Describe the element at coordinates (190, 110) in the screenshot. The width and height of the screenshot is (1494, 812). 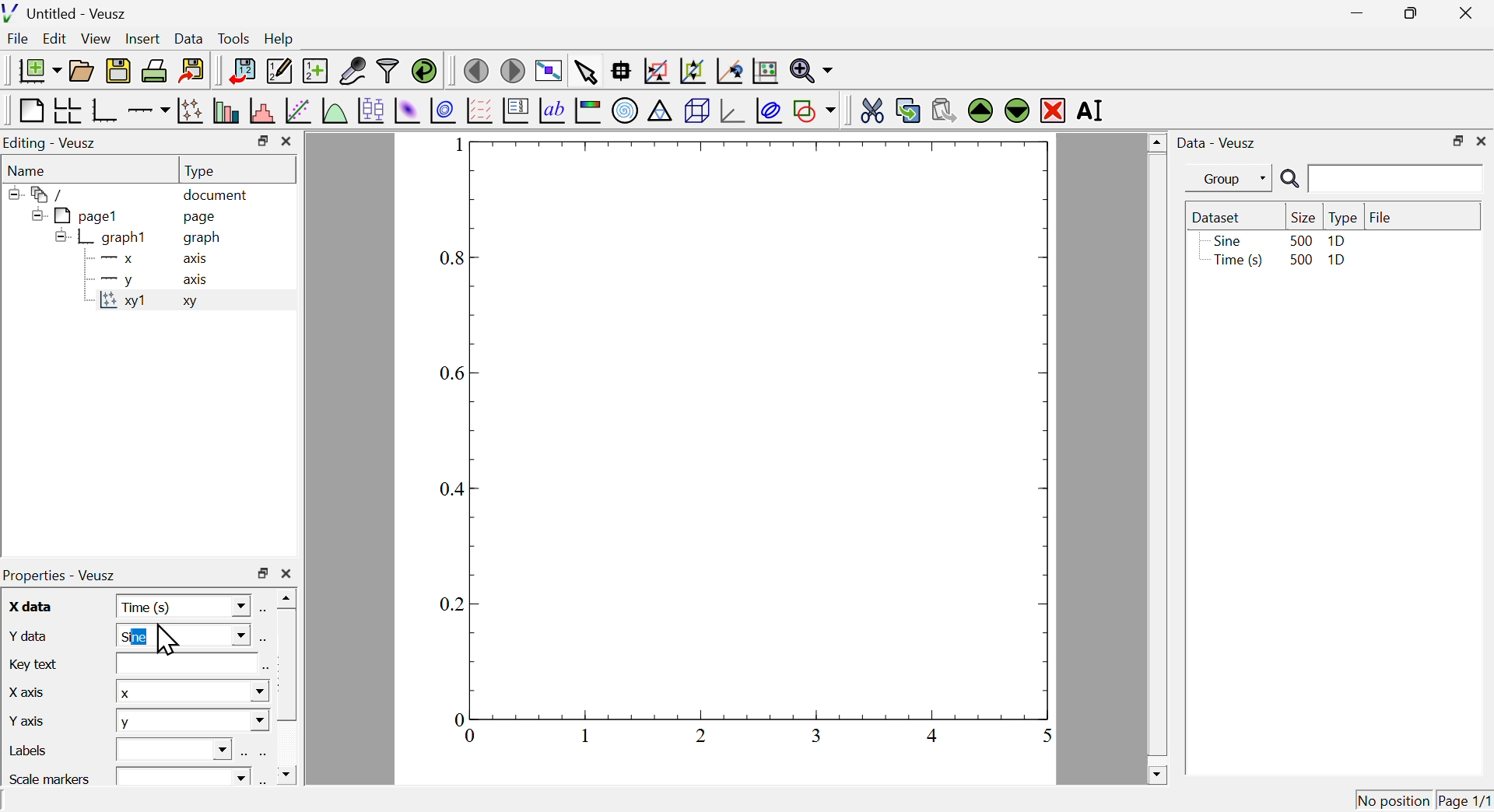
I see `plot points with lines and errorbars` at that location.